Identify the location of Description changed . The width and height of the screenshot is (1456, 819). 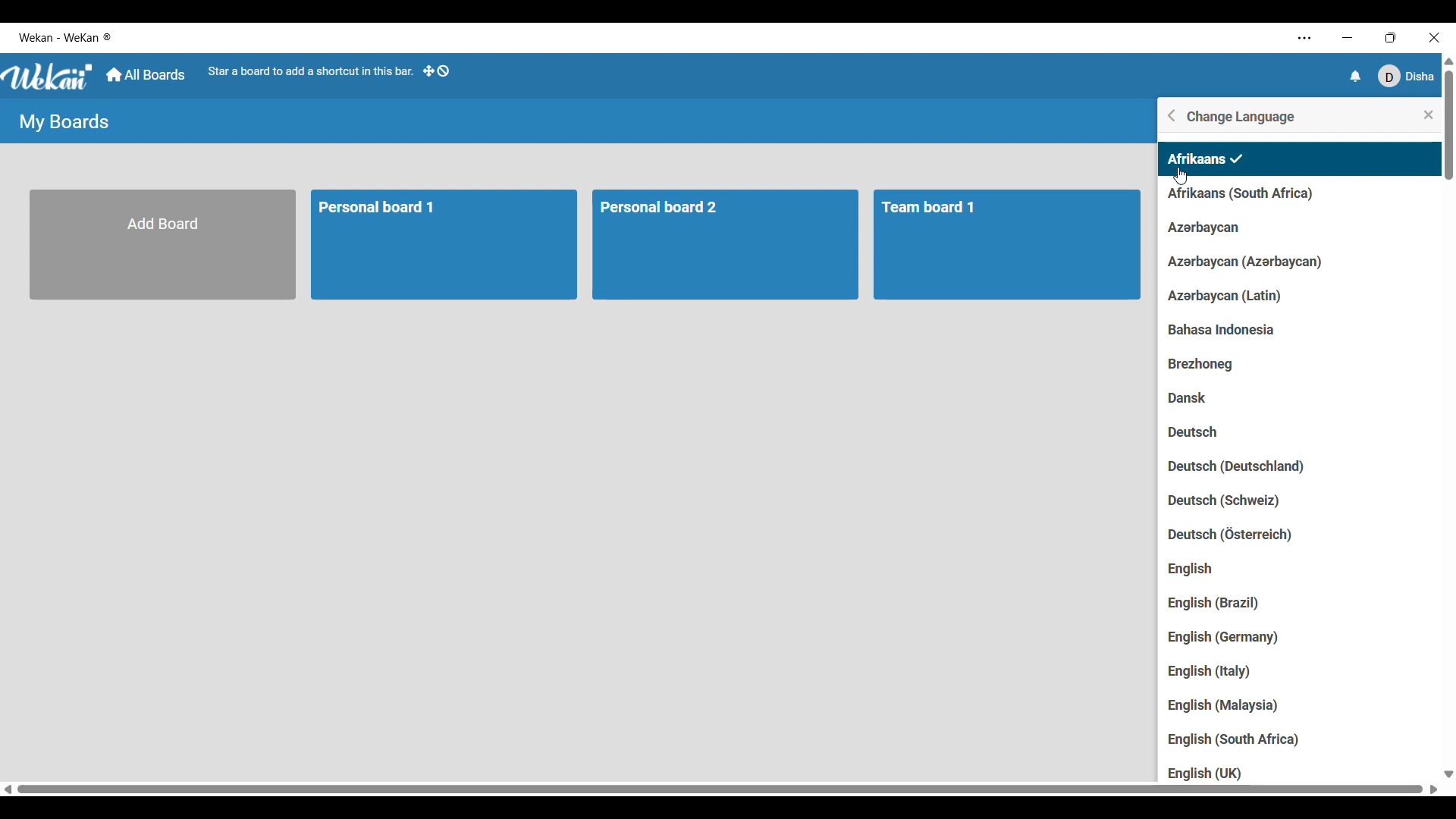
(311, 71).